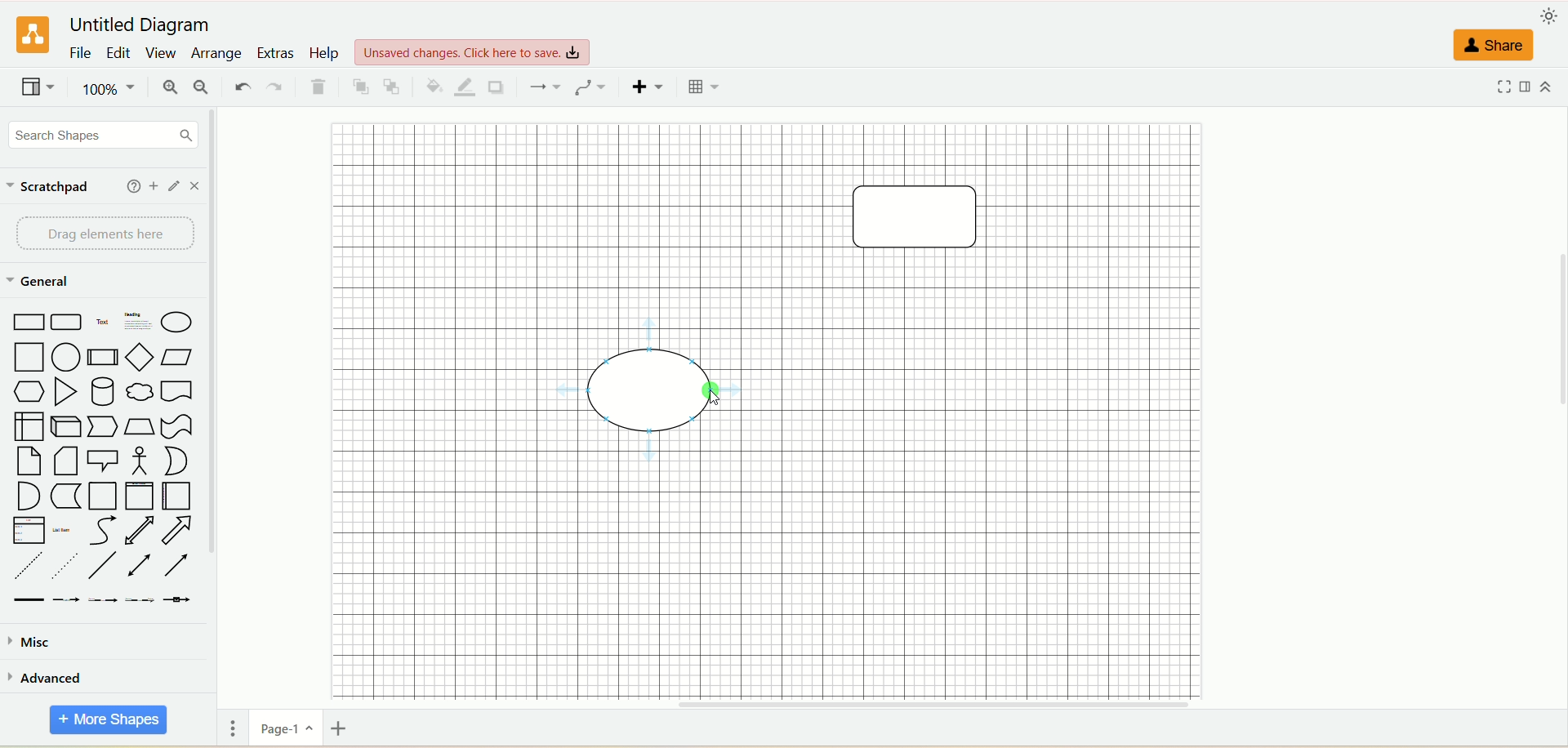 The height and width of the screenshot is (748, 1568). What do you see at coordinates (145, 22) in the screenshot?
I see `title` at bounding box center [145, 22].